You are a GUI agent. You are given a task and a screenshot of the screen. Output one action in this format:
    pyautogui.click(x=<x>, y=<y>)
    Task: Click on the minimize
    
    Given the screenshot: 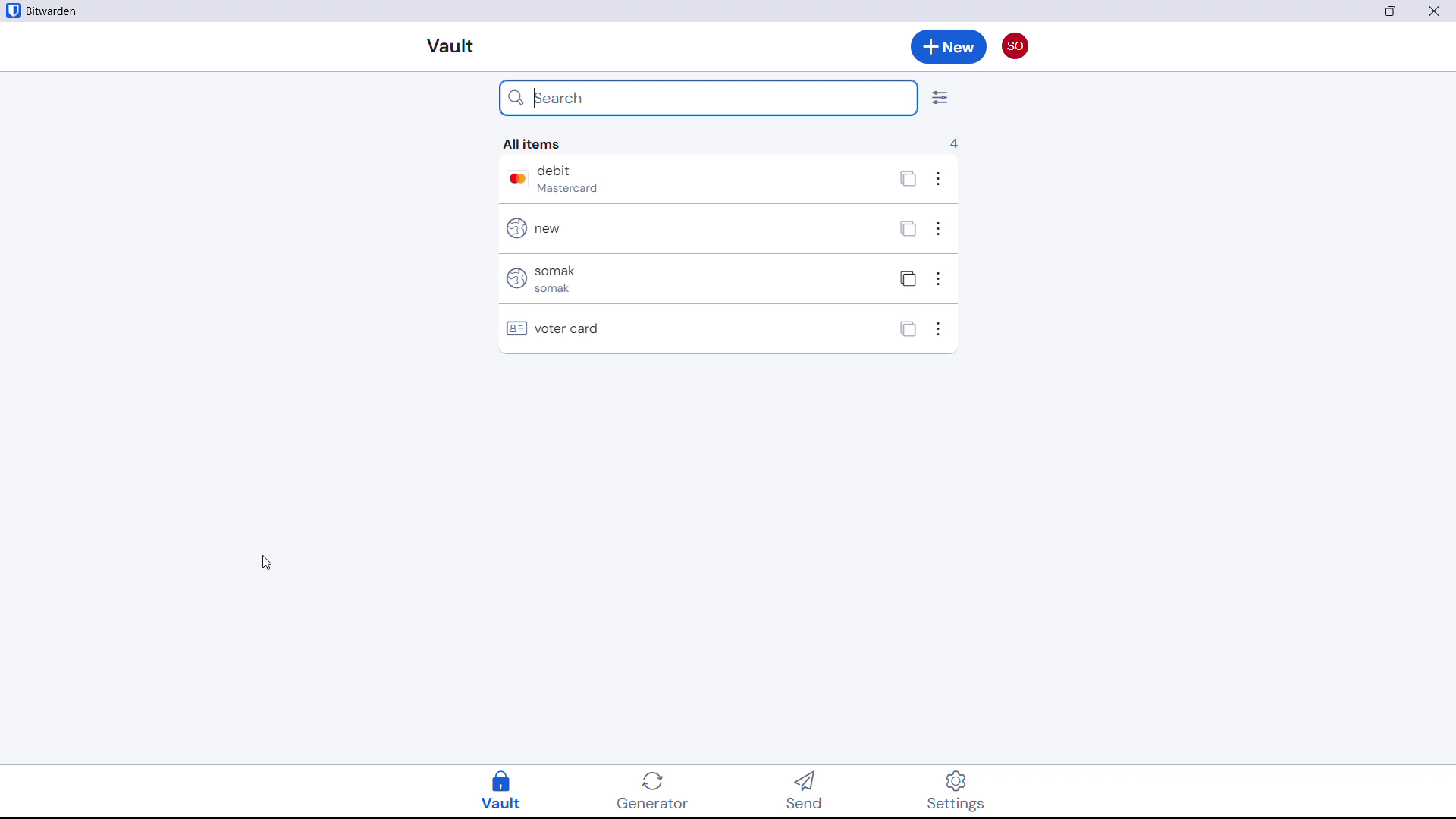 What is the action you would take?
    pyautogui.click(x=1349, y=11)
    